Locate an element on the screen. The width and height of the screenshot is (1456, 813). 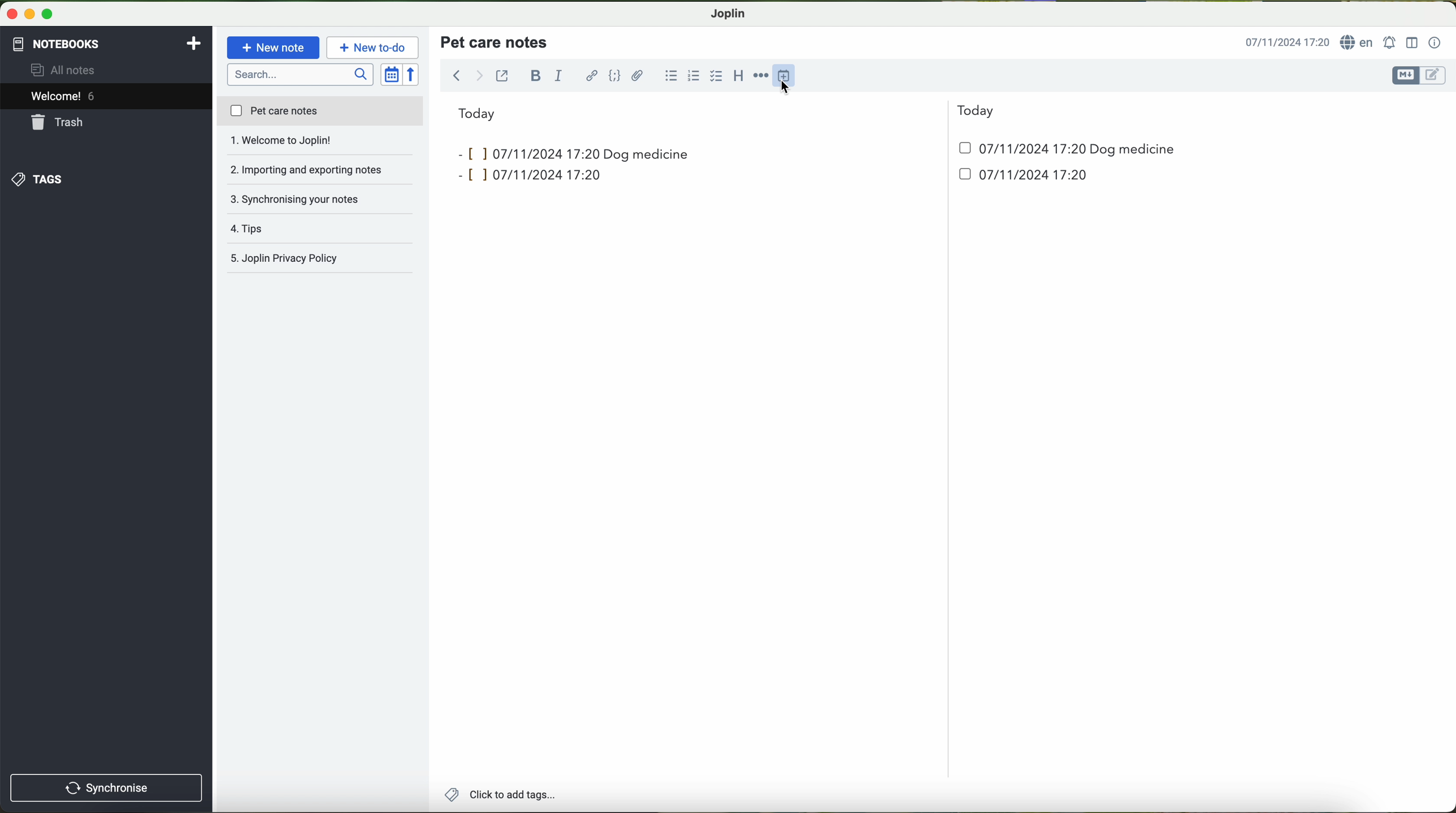
code is located at coordinates (614, 75).